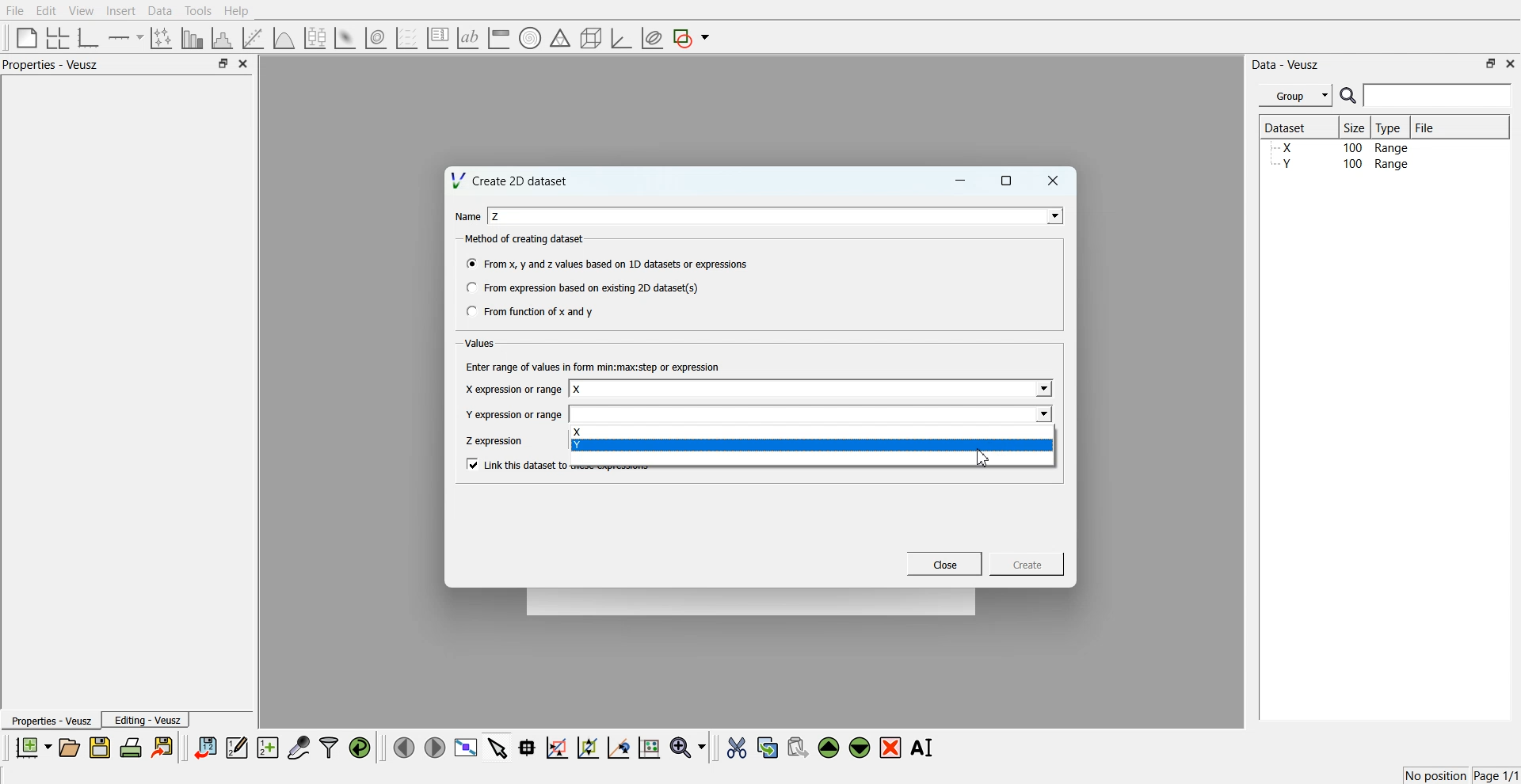 This screenshot has height=784, width=1521. Describe the element at coordinates (608, 262) in the screenshot. I see `|  (& Fromx, y and z values based on 1D datasets or expressions` at that location.